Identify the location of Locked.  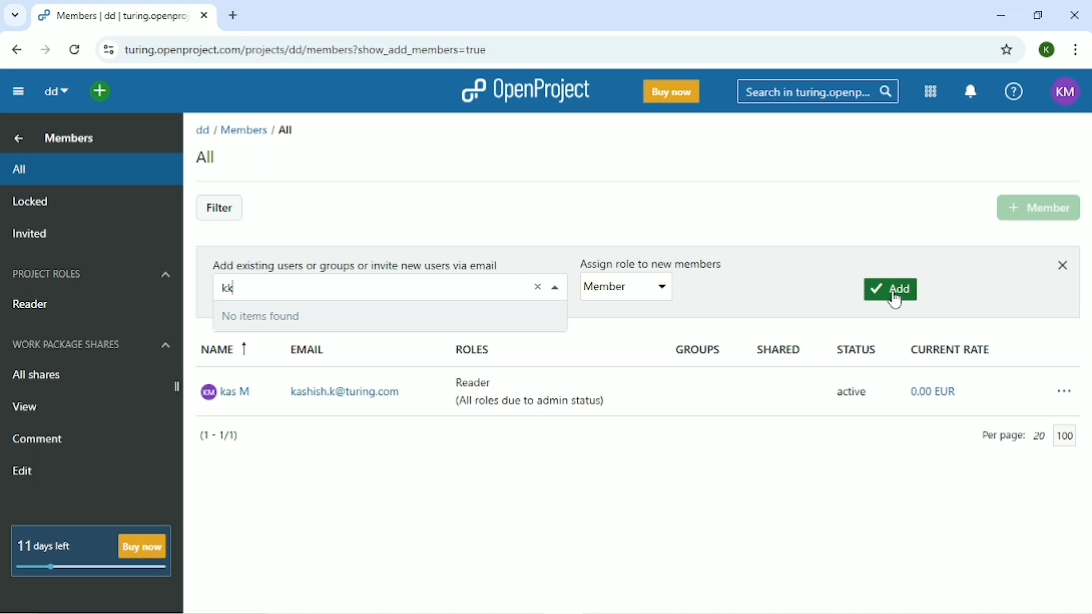
(31, 202).